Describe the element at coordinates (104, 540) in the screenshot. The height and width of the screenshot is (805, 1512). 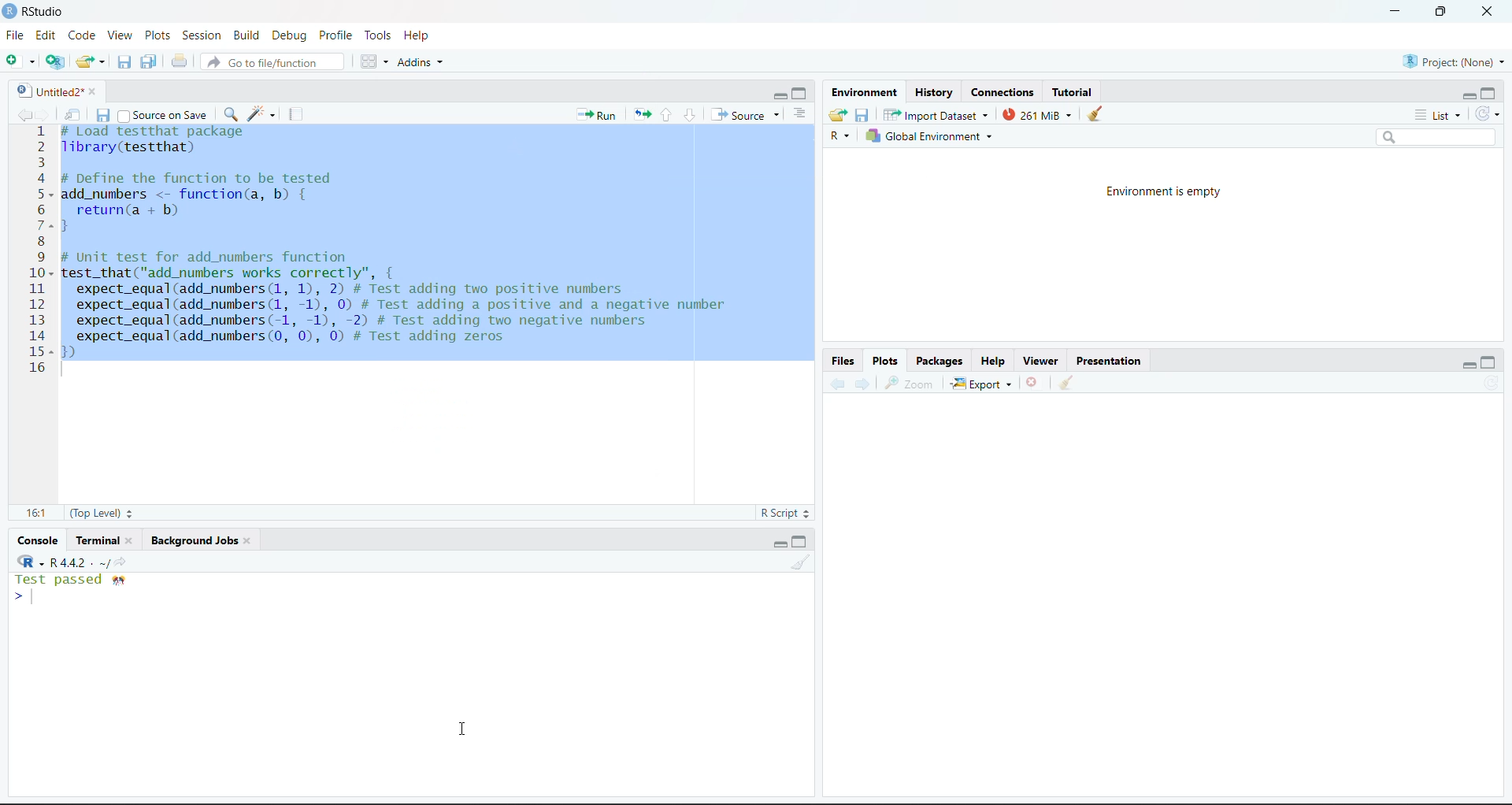
I see `Terminal` at that location.